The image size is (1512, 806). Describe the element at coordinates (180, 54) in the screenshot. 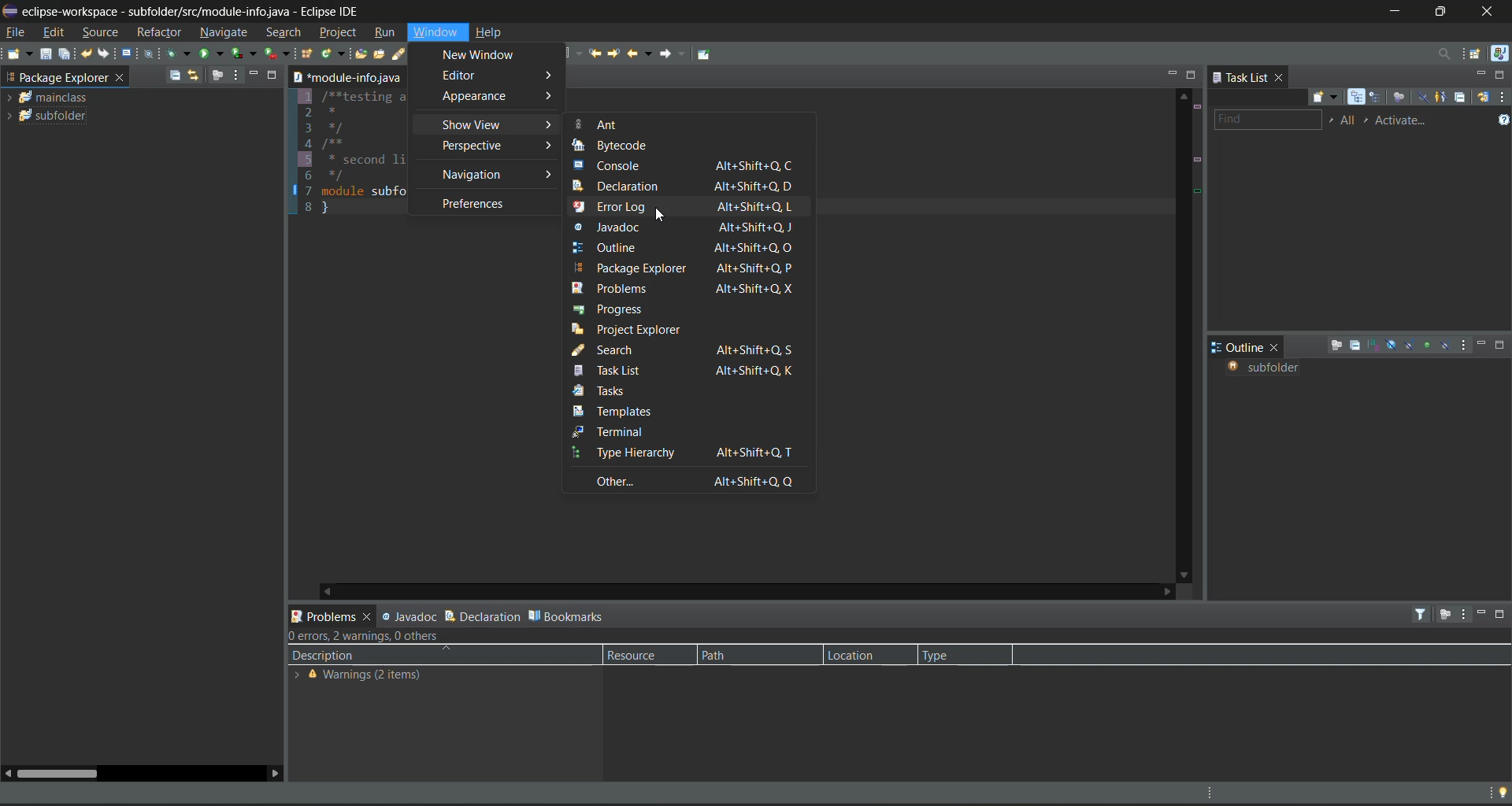

I see `debug` at that location.